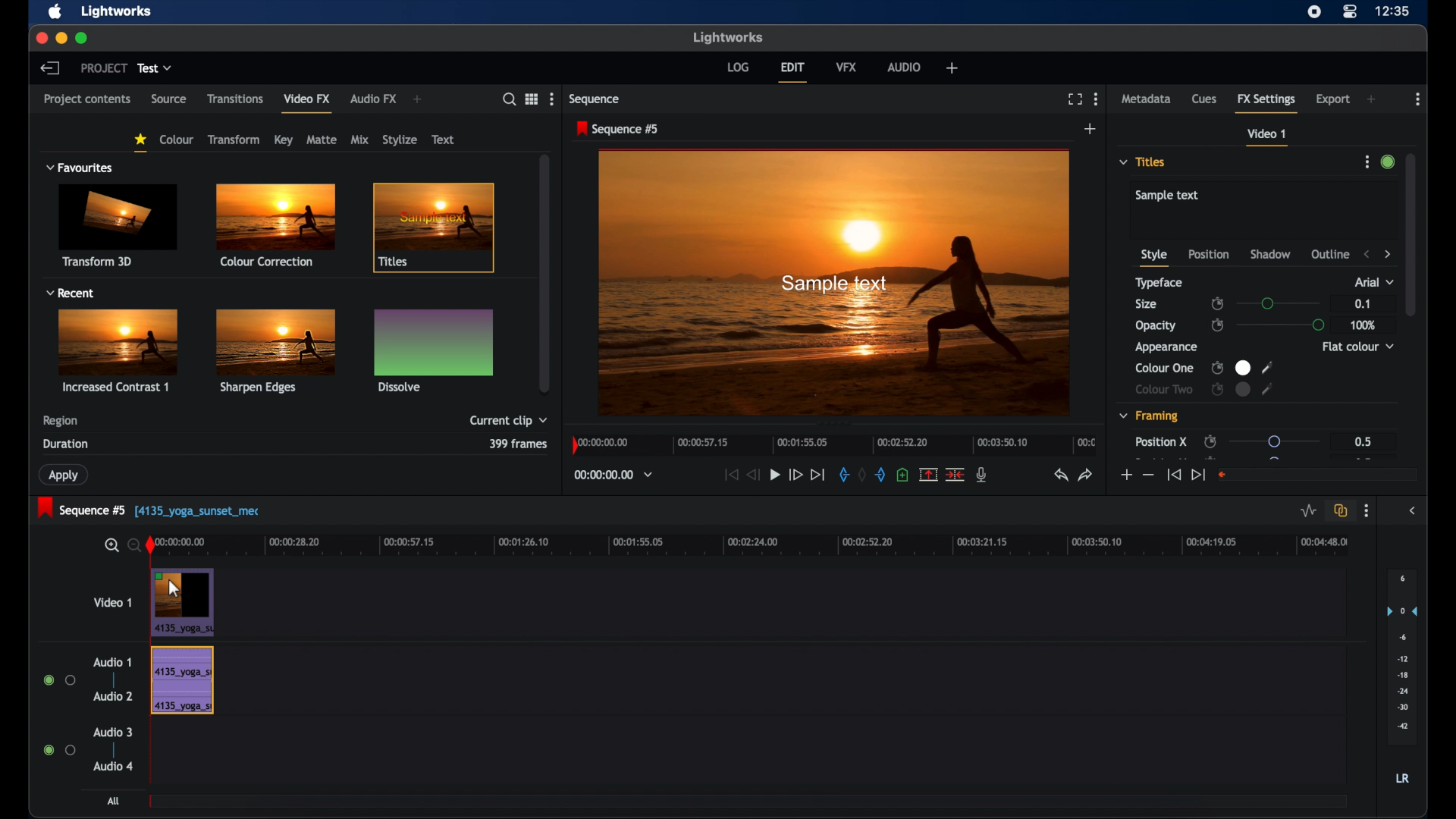 This screenshot has width=1456, height=819. What do you see at coordinates (114, 602) in the screenshot?
I see `video 1` at bounding box center [114, 602].